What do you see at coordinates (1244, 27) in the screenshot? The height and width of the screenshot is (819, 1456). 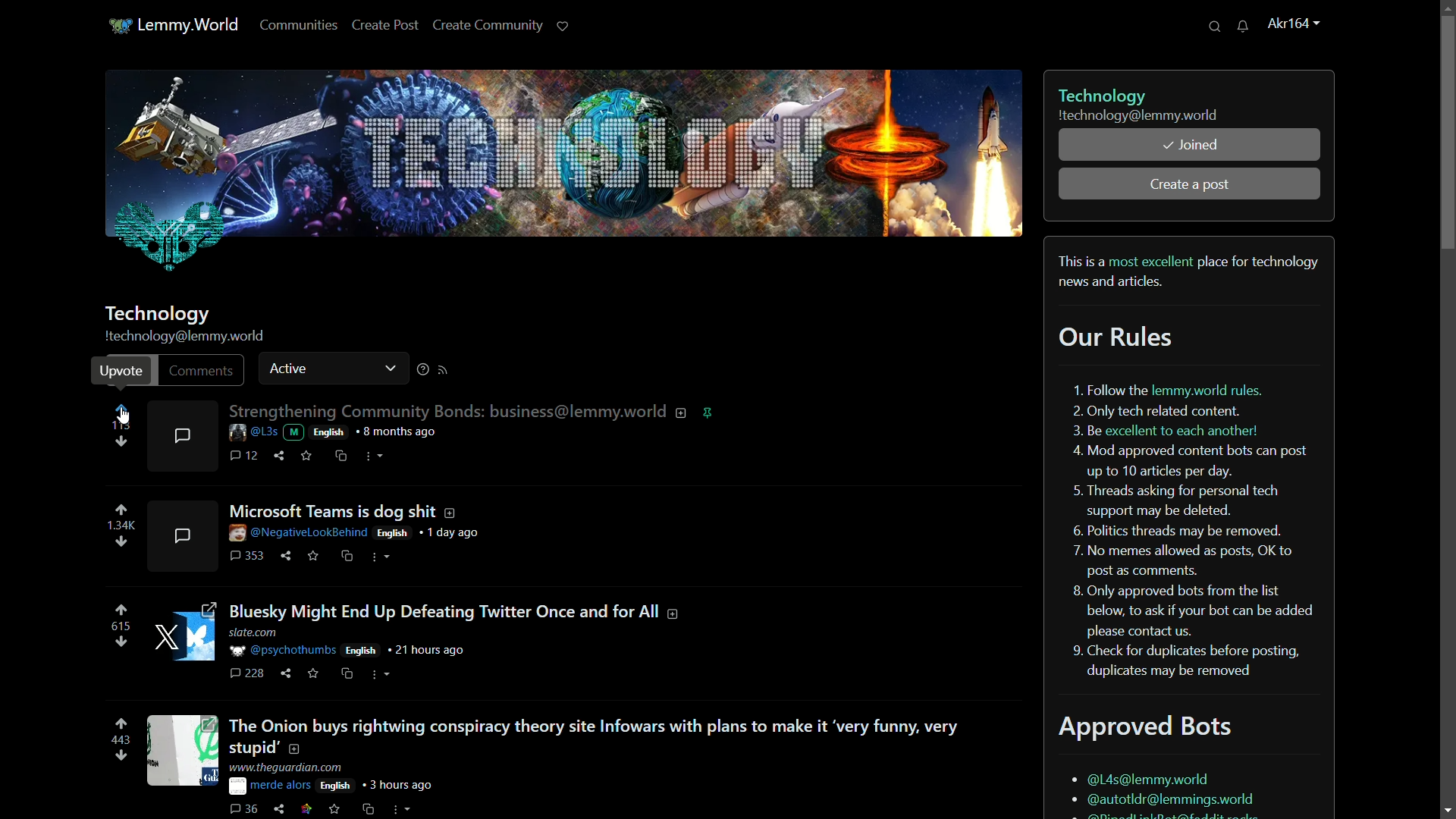 I see `unread messages` at bounding box center [1244, 27].